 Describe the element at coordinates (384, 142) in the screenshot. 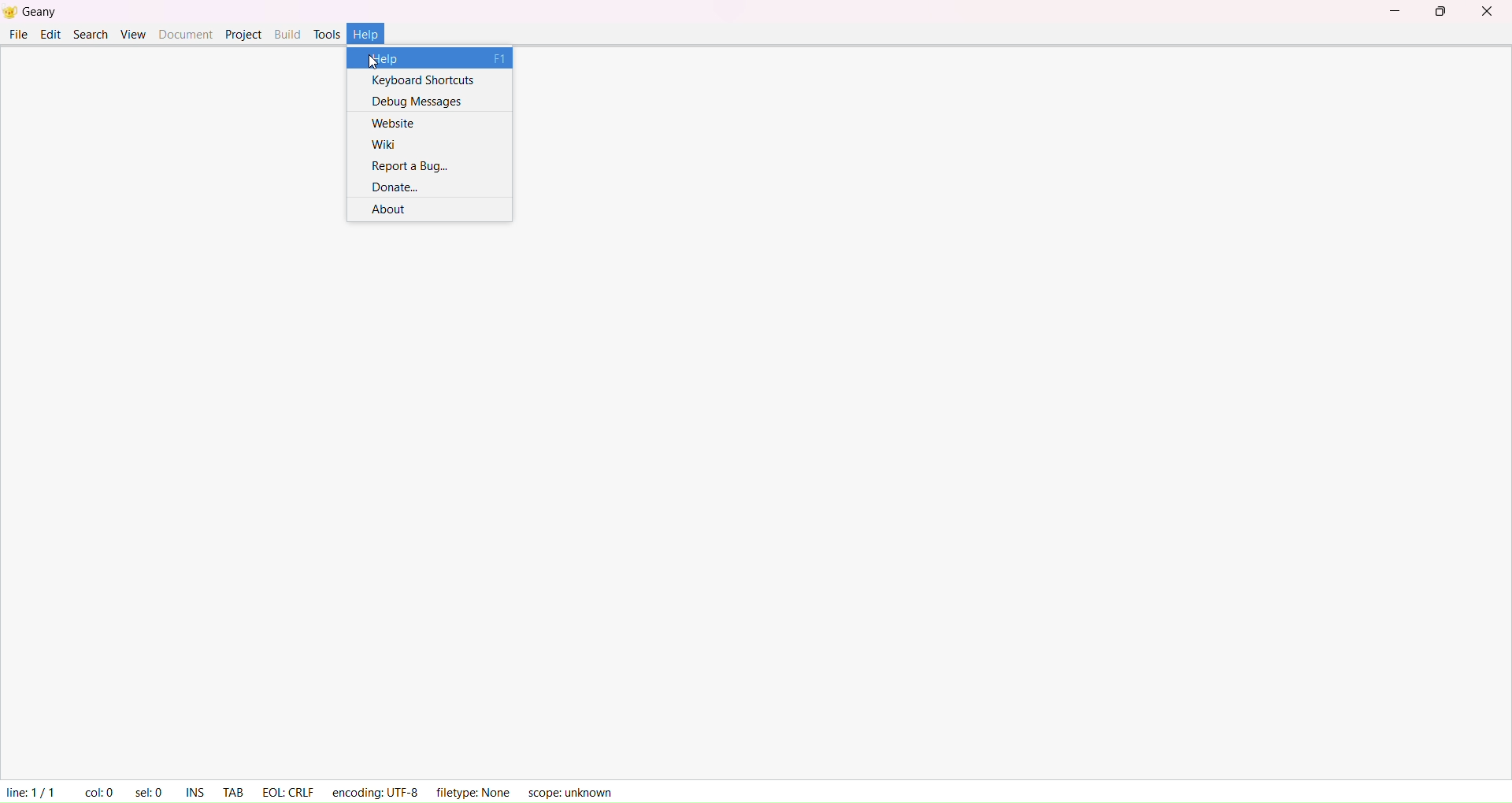

I see `wiki` at that location.